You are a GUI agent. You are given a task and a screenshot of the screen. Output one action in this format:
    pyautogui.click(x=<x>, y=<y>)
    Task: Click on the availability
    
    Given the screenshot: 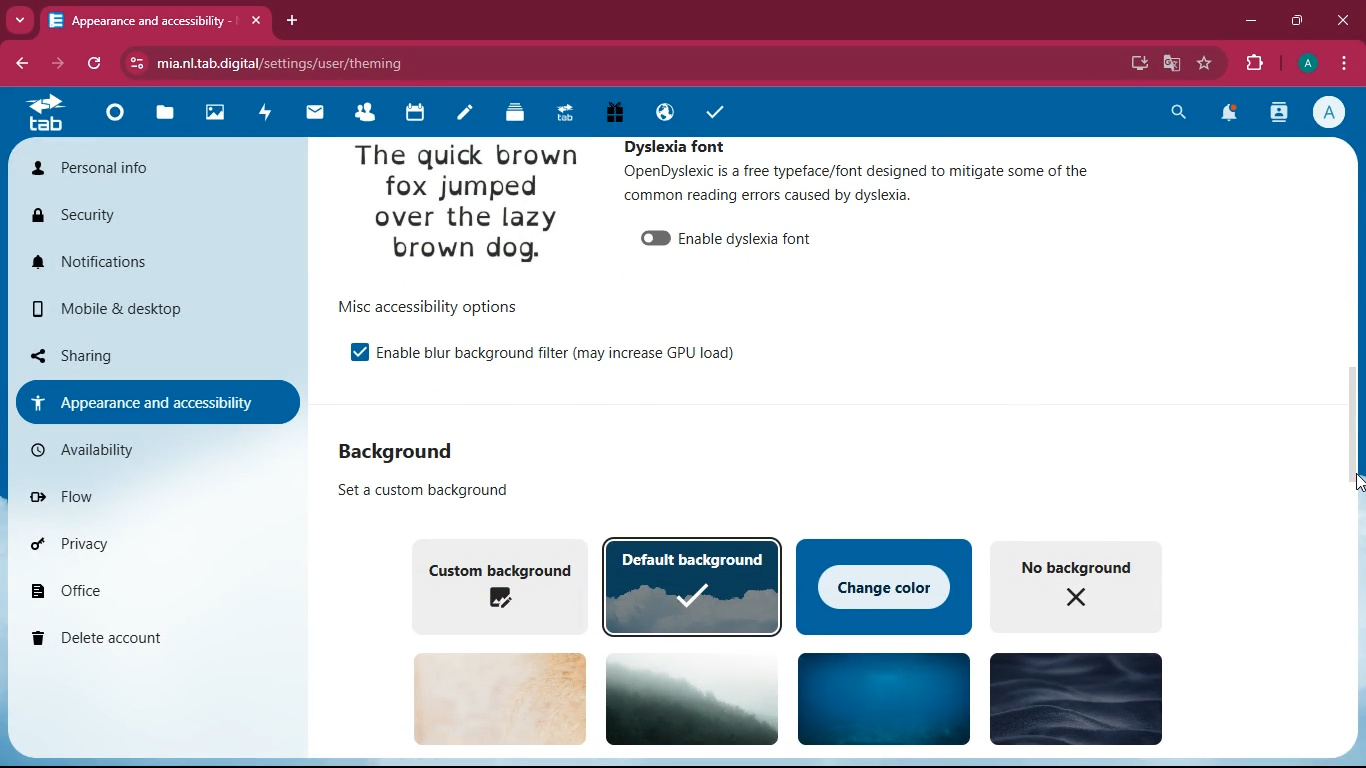 What is the action you would take?
    pyautogui.click(x=106, y=450)
    